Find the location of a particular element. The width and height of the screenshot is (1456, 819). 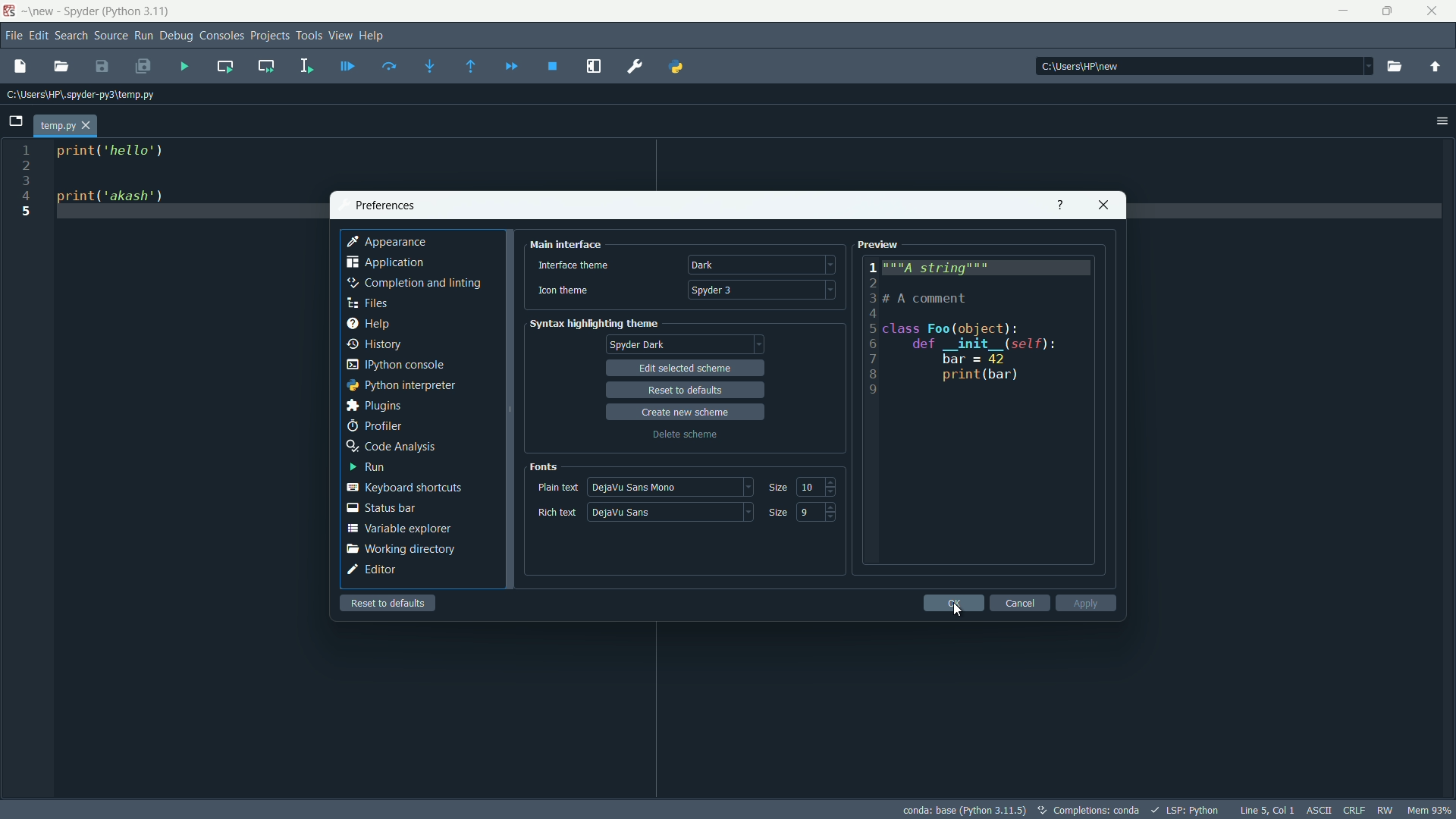

debug file is located at coordinates (348, 67).